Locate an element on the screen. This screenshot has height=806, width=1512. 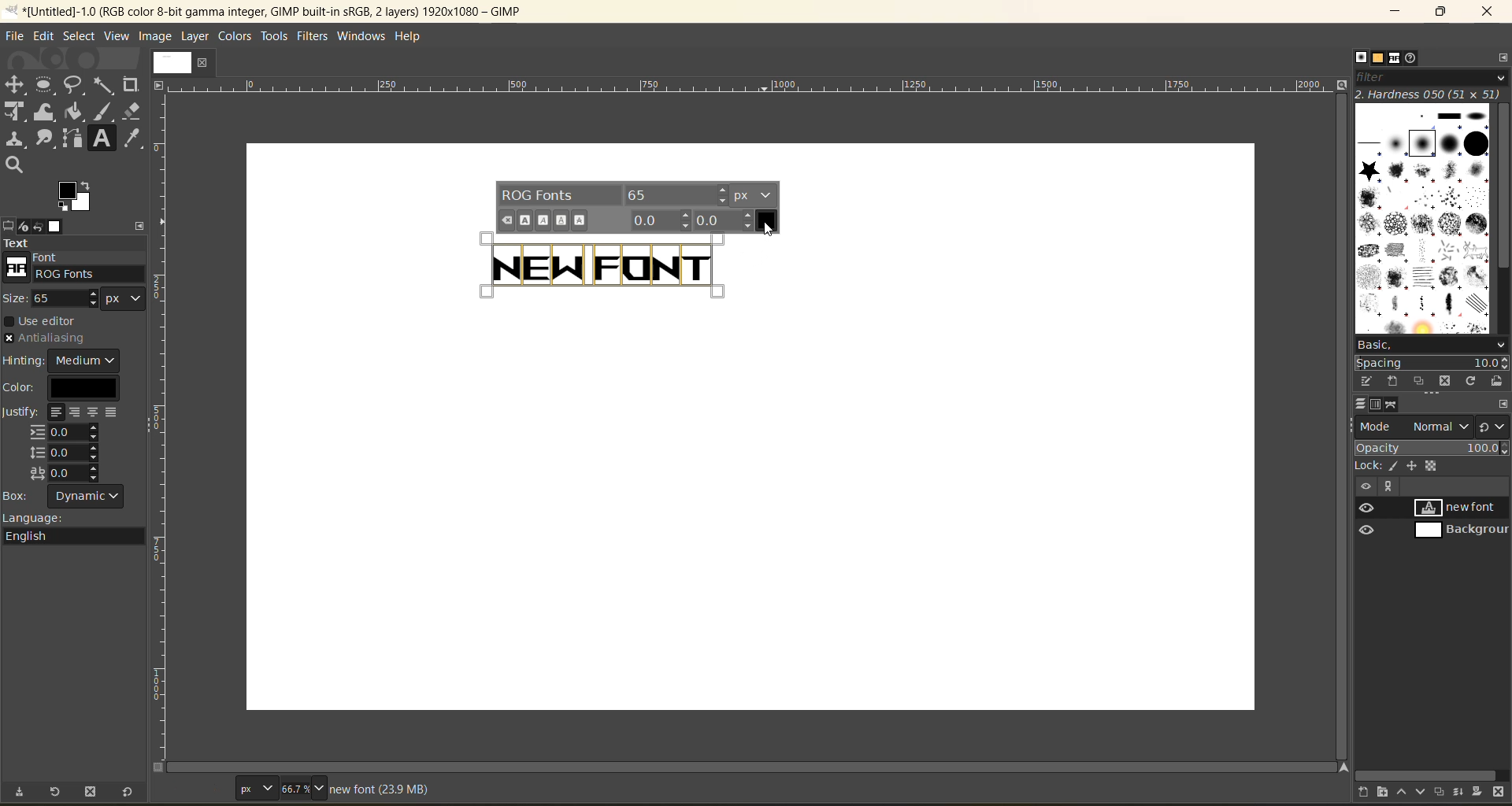
spacing is located at coordinates (1431, 364).